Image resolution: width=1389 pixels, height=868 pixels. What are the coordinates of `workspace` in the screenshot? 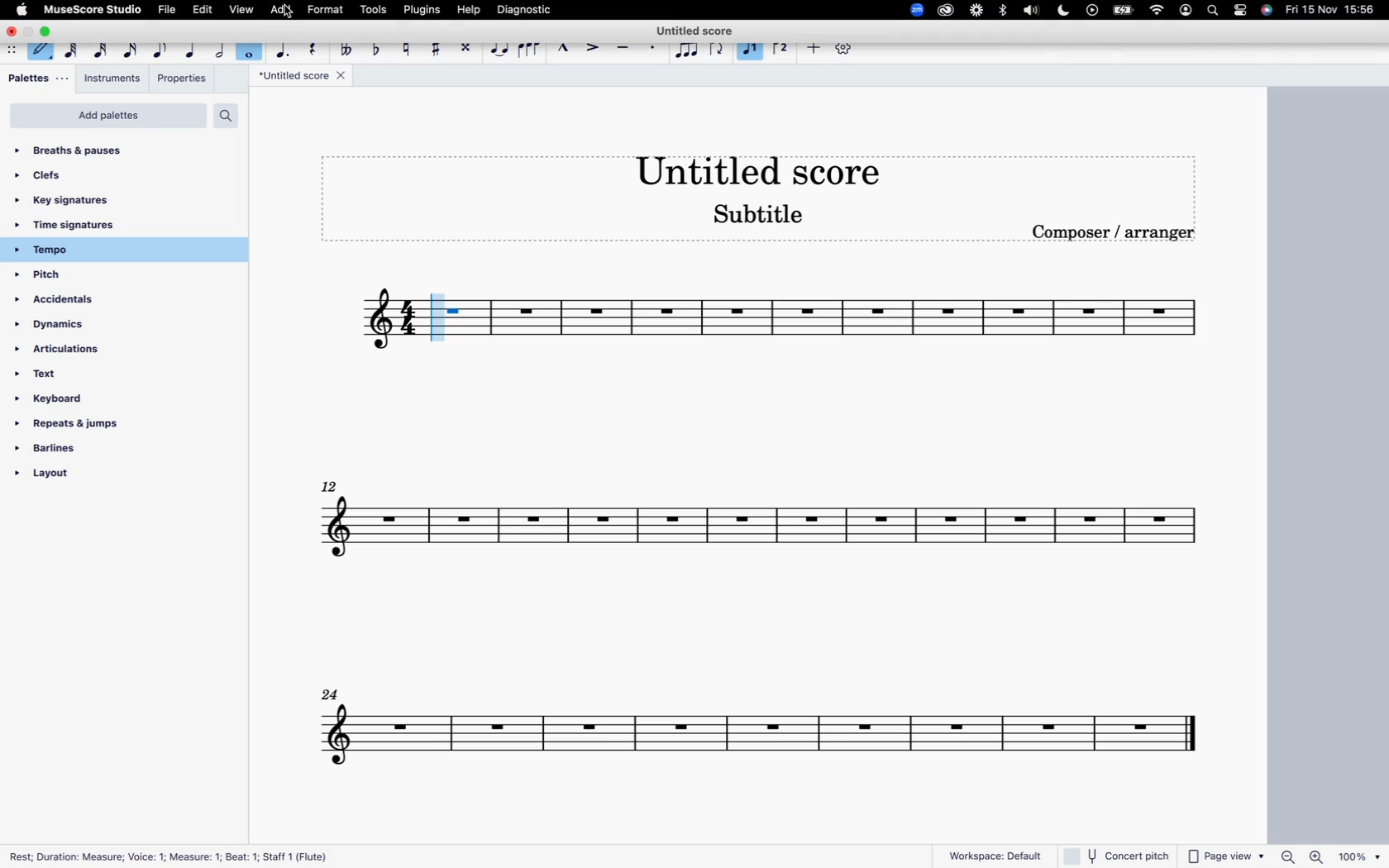 It's located at (987, 851).